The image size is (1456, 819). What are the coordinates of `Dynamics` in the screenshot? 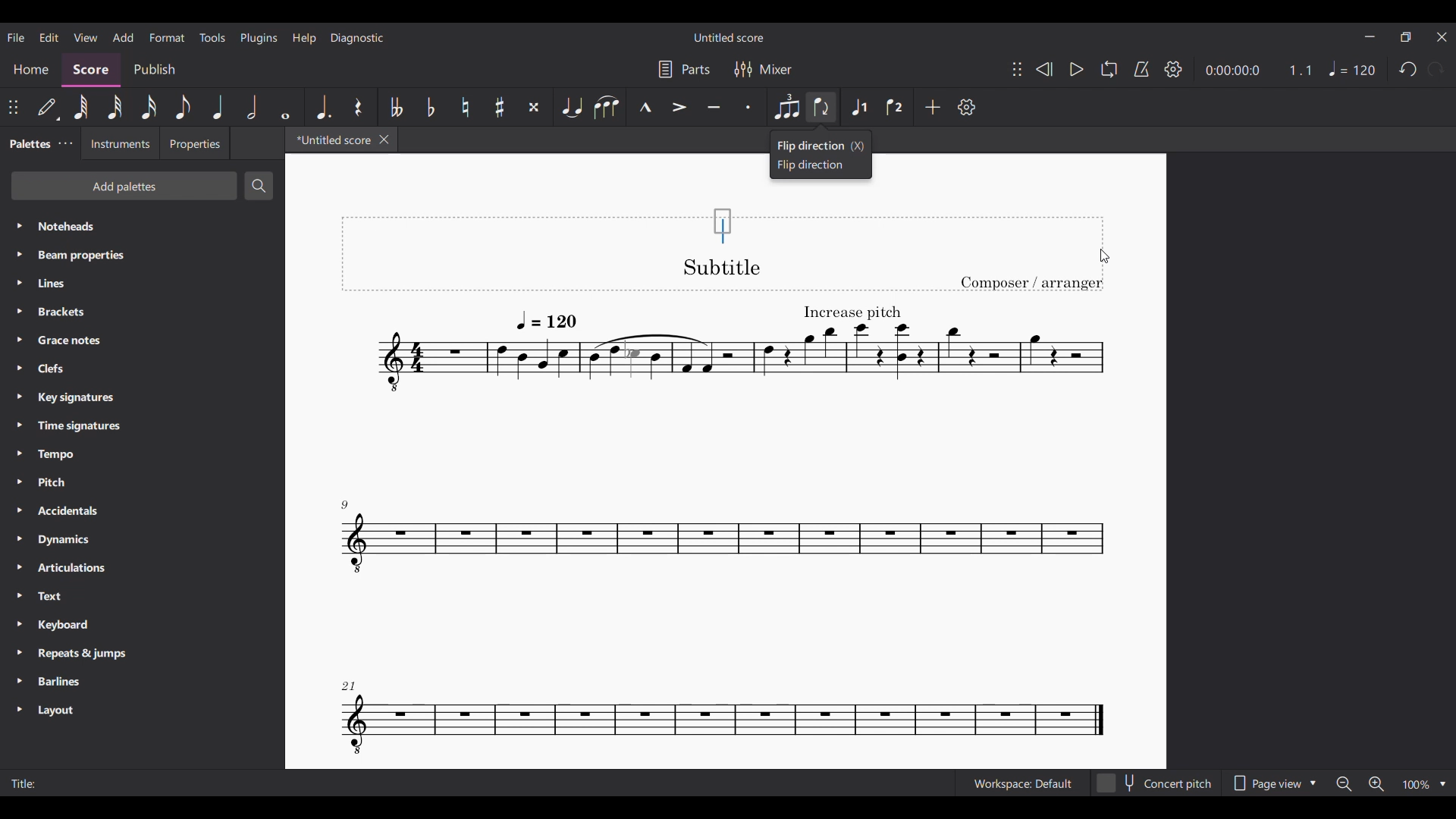 It's located at (143, 539).